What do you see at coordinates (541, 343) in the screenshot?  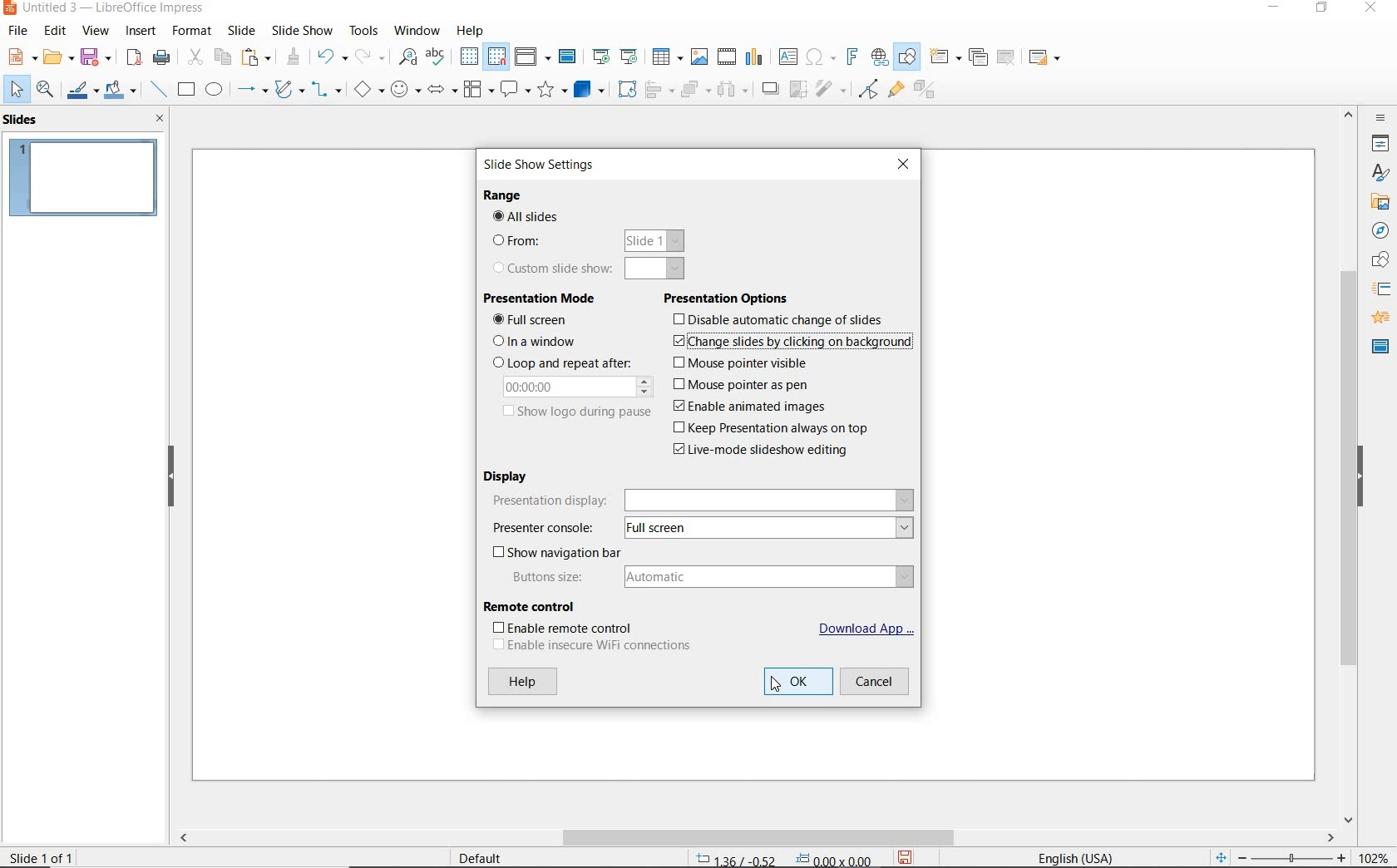 I see `IN A WINDOW` at bounding box center [541, 343].